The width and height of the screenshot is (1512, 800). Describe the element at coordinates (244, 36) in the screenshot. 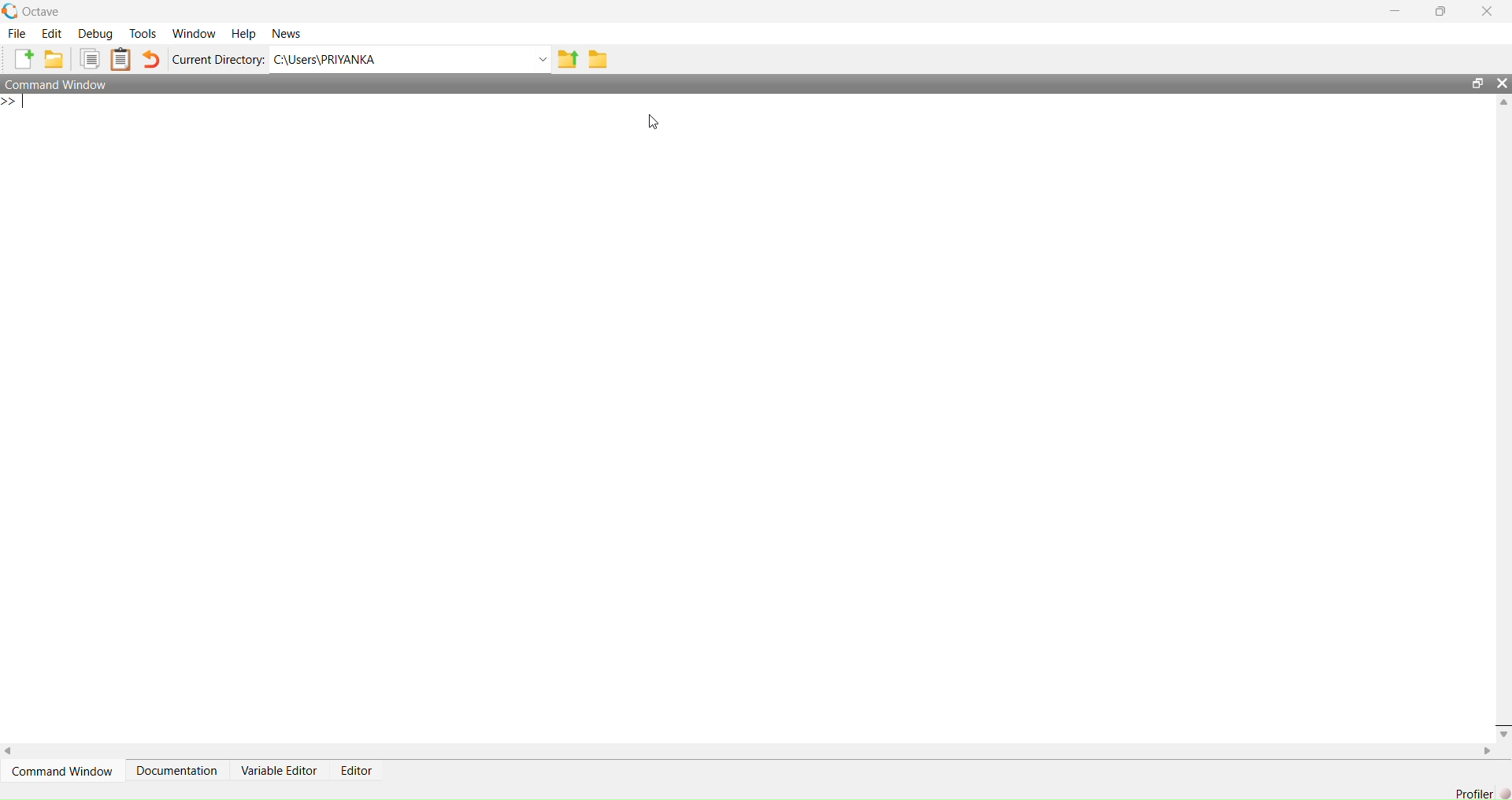

I see `Help` at that location.